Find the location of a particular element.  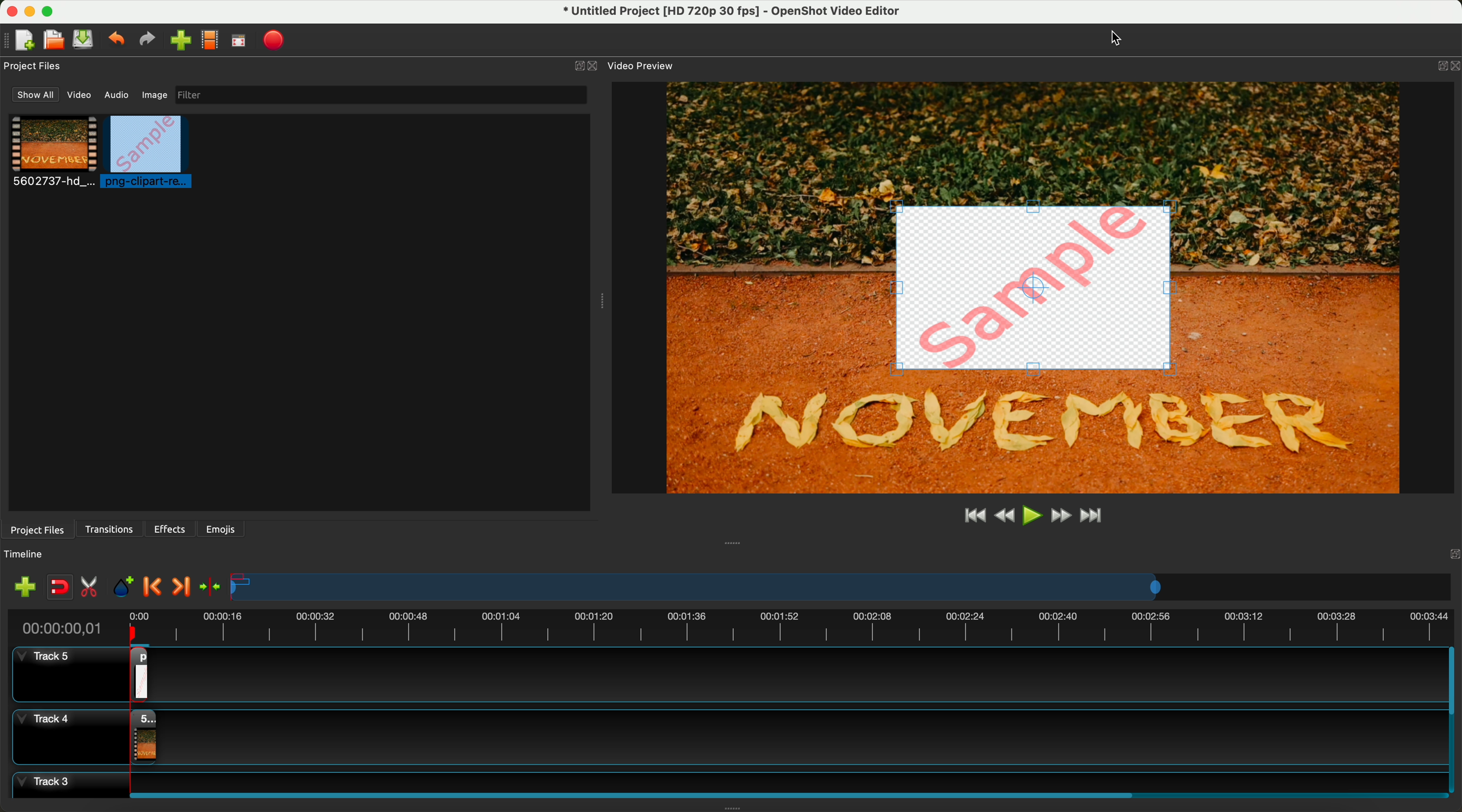

enable razor is located at coordinates (92, 589).